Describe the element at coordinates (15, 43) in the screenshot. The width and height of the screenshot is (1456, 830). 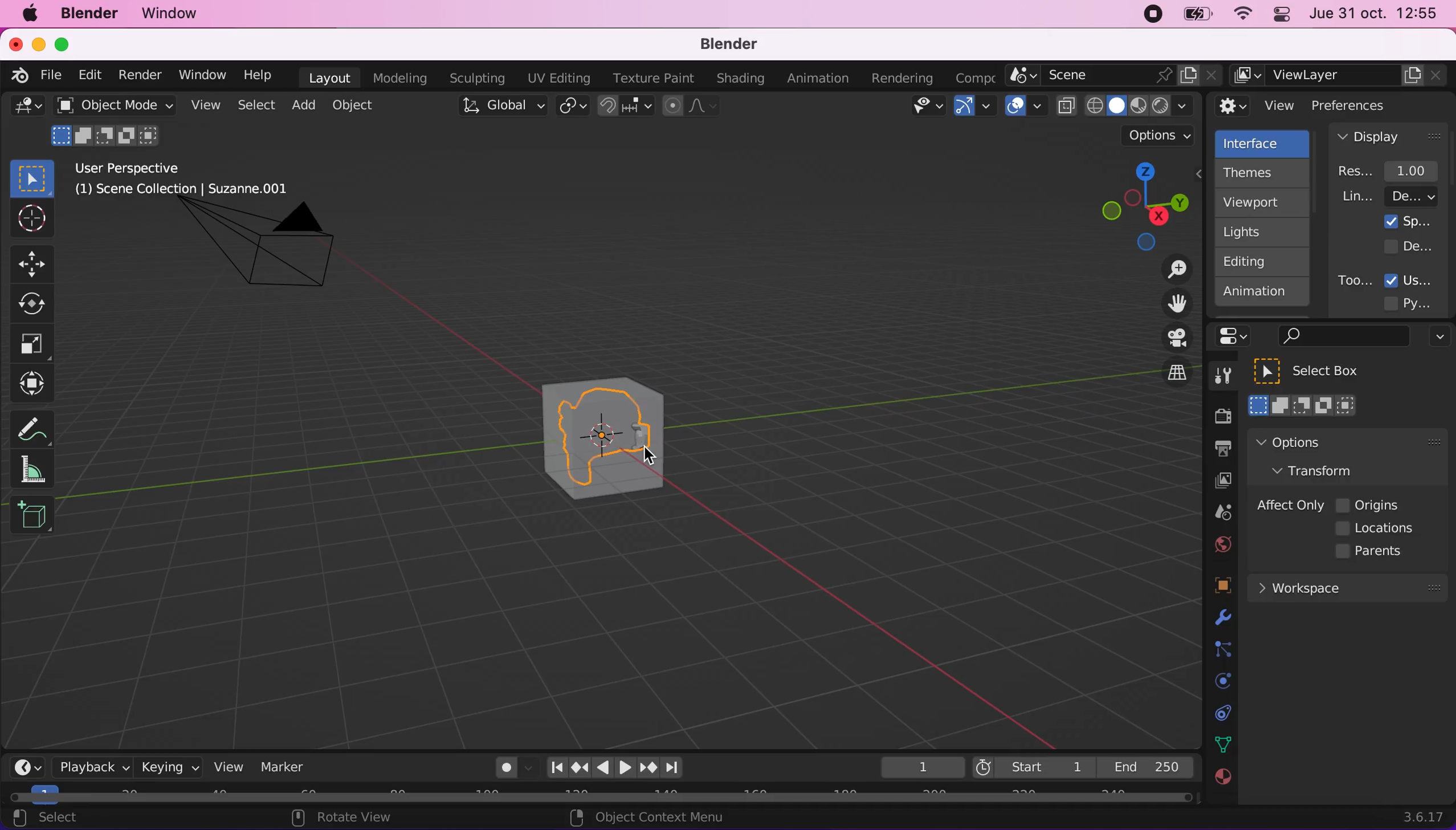
I see `close` at that location.